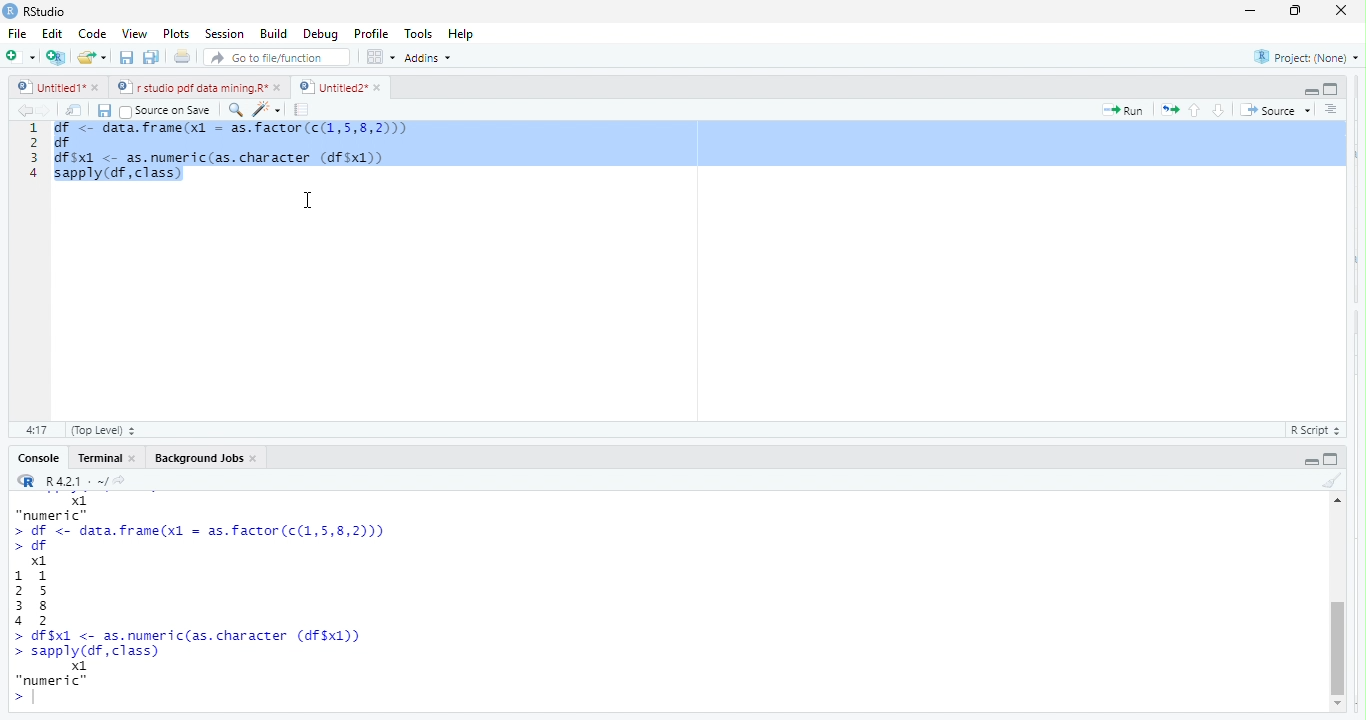  What do you see at coordinates (1220, 112) in the screenshot?
I see `go to next section /chunk` at bounding box center [1220, 112].